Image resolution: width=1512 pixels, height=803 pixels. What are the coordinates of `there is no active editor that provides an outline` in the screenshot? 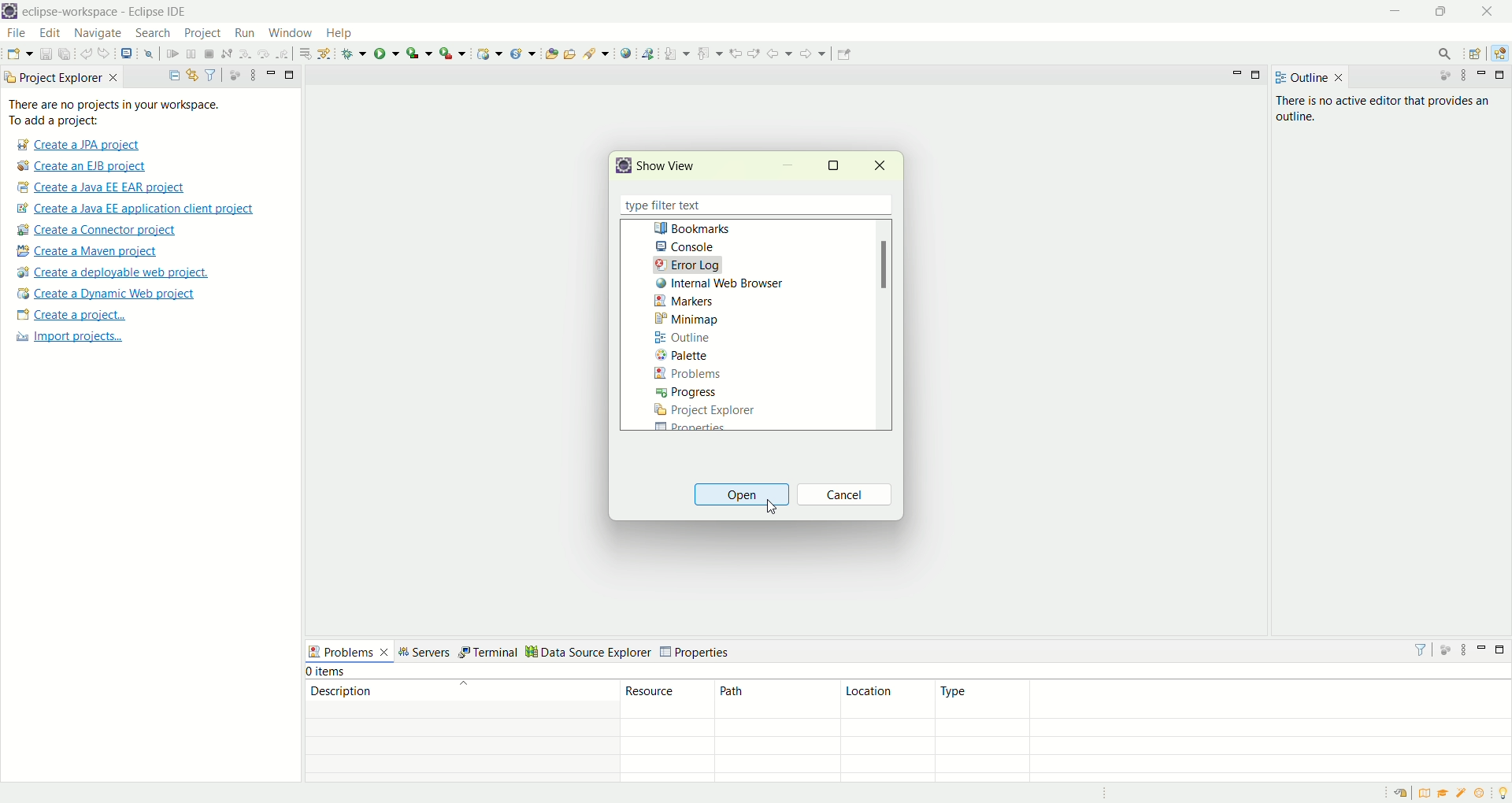 It's located at (1389, 106).